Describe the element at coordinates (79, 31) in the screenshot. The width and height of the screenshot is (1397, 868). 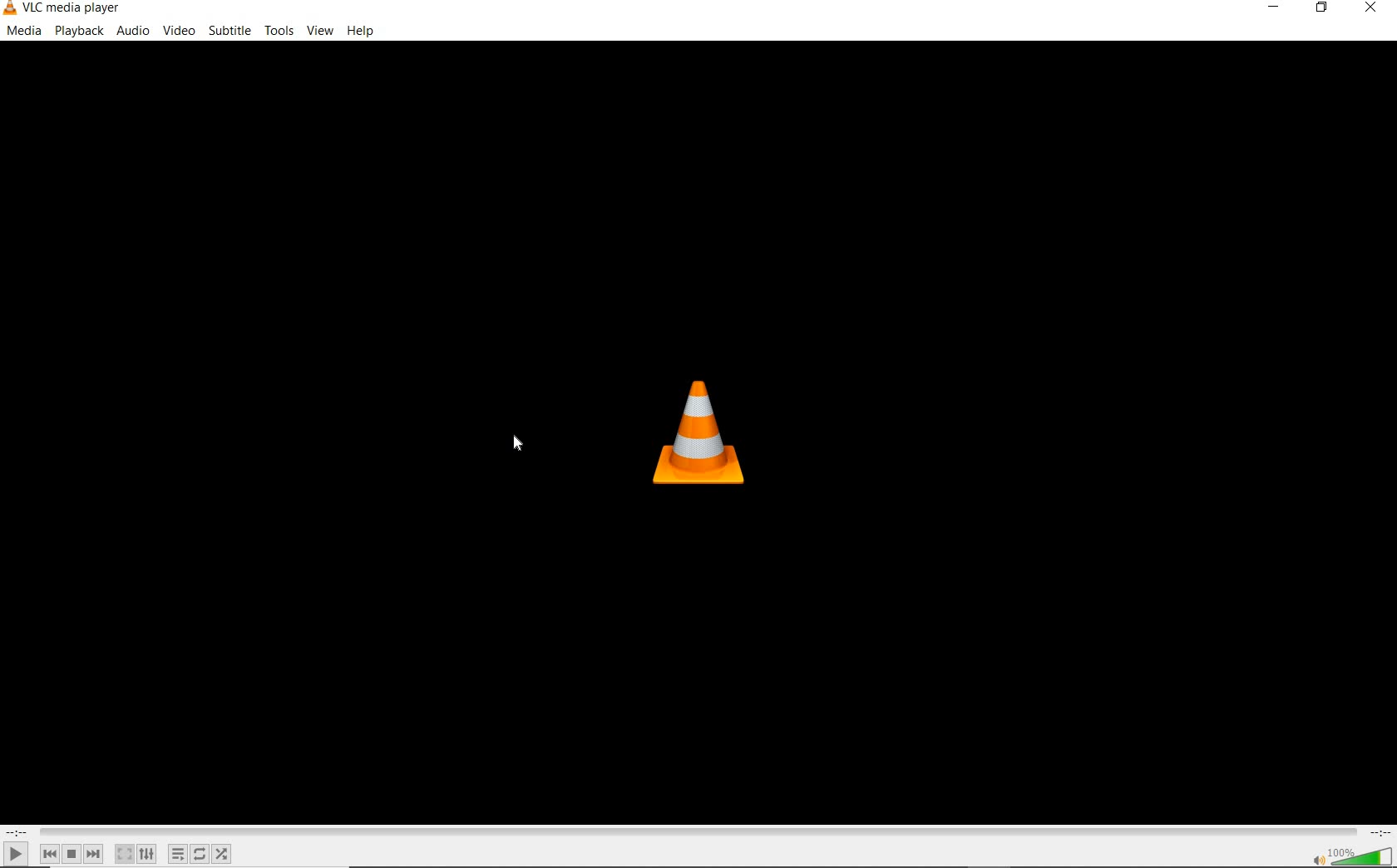
I see `playback` at that location.